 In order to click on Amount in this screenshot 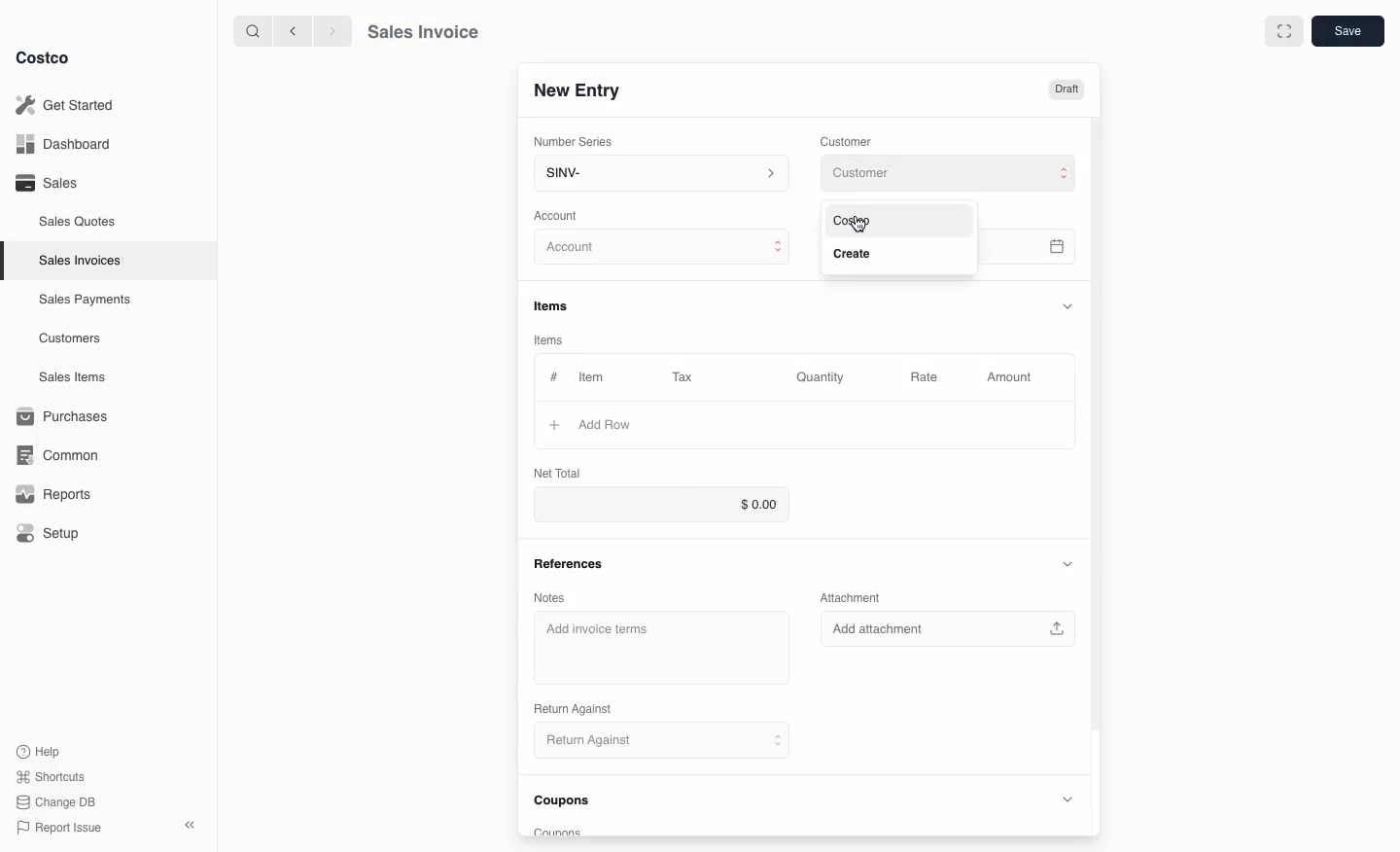, I will do `click(1007, 378)`.